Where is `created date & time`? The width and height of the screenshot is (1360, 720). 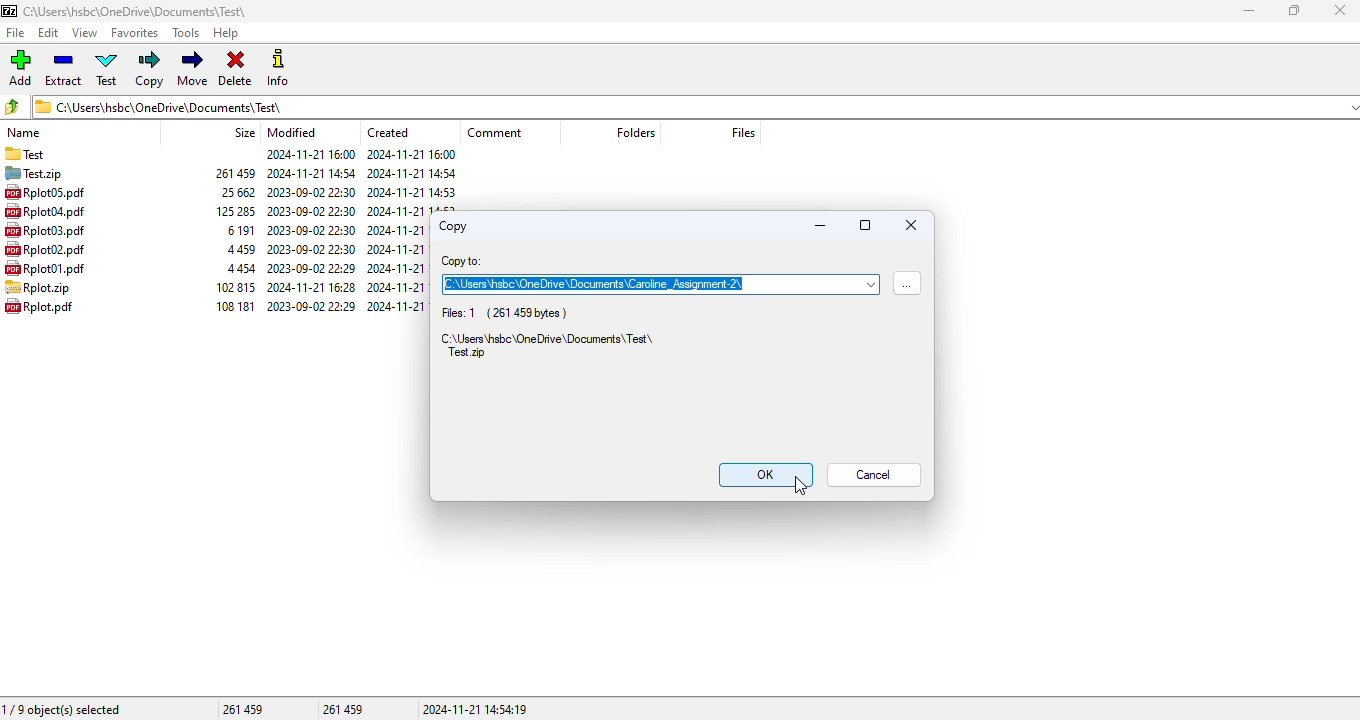 created date & time is located at coordinates (398, 286).